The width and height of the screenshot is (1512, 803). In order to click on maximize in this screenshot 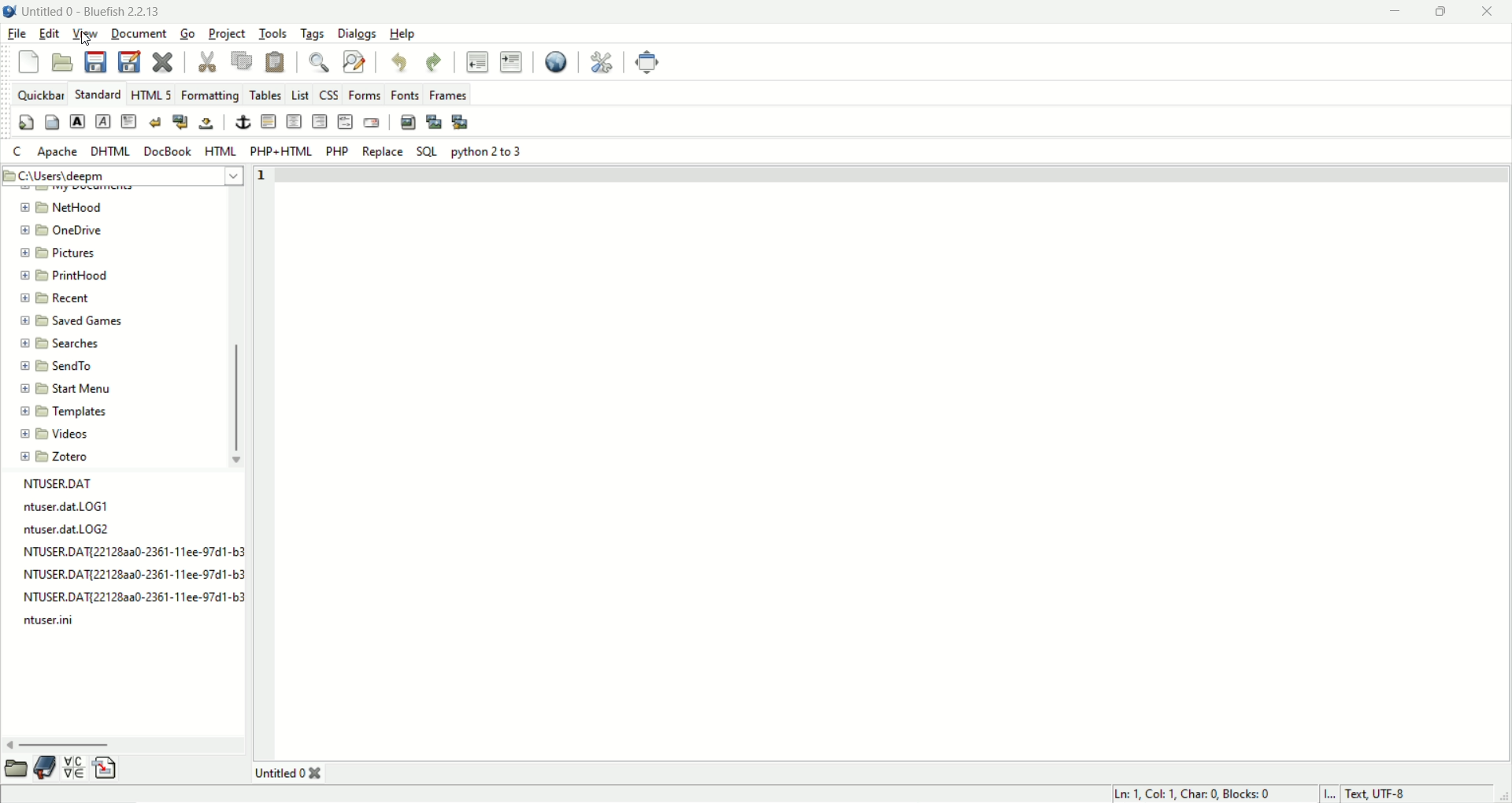, I will do `click(1444, 12)`.